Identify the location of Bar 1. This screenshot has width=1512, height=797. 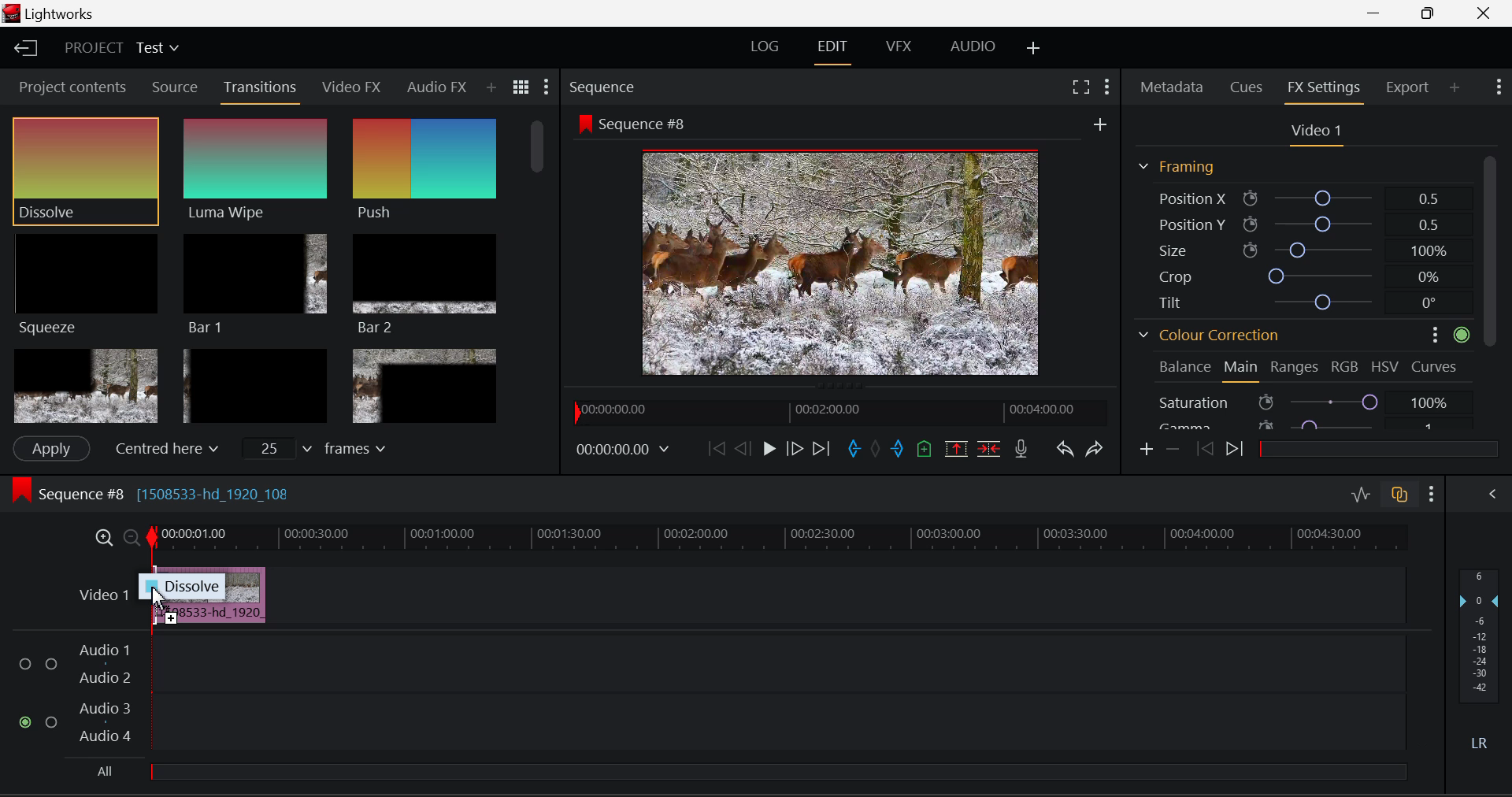
(254, 284).